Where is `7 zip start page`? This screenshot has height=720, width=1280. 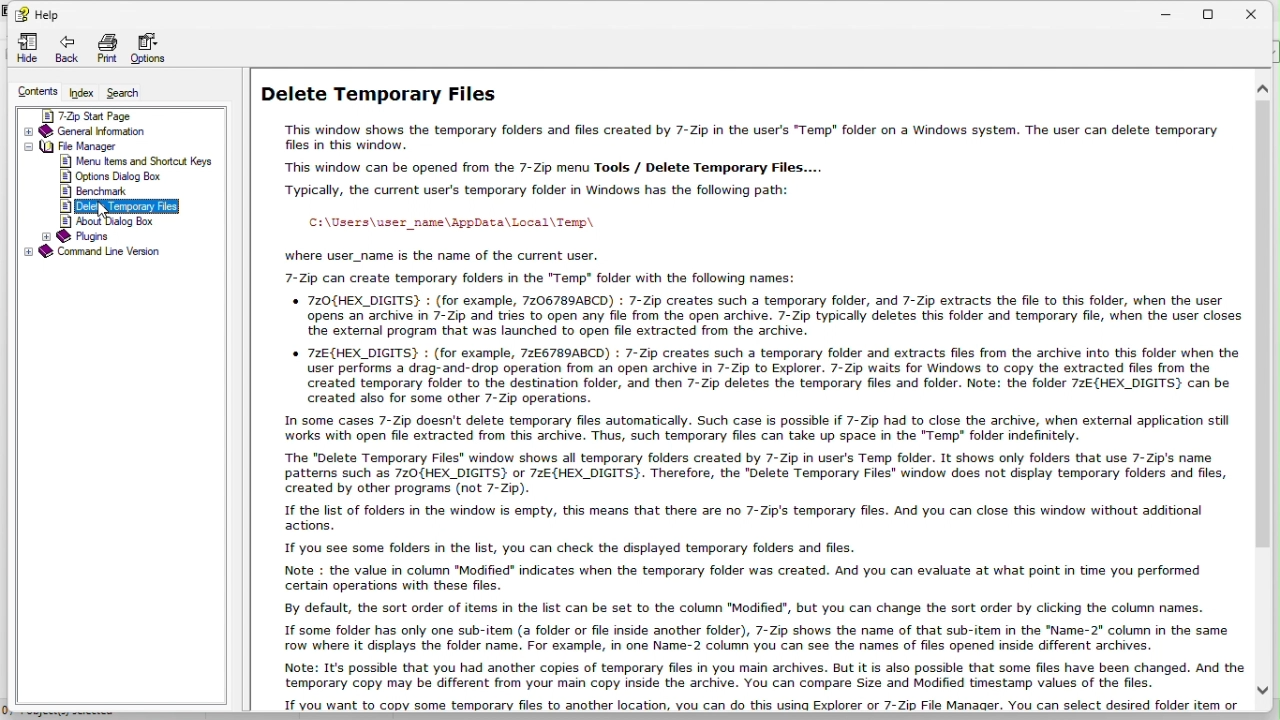 7 zip start page is located at coordinates (119, 113).